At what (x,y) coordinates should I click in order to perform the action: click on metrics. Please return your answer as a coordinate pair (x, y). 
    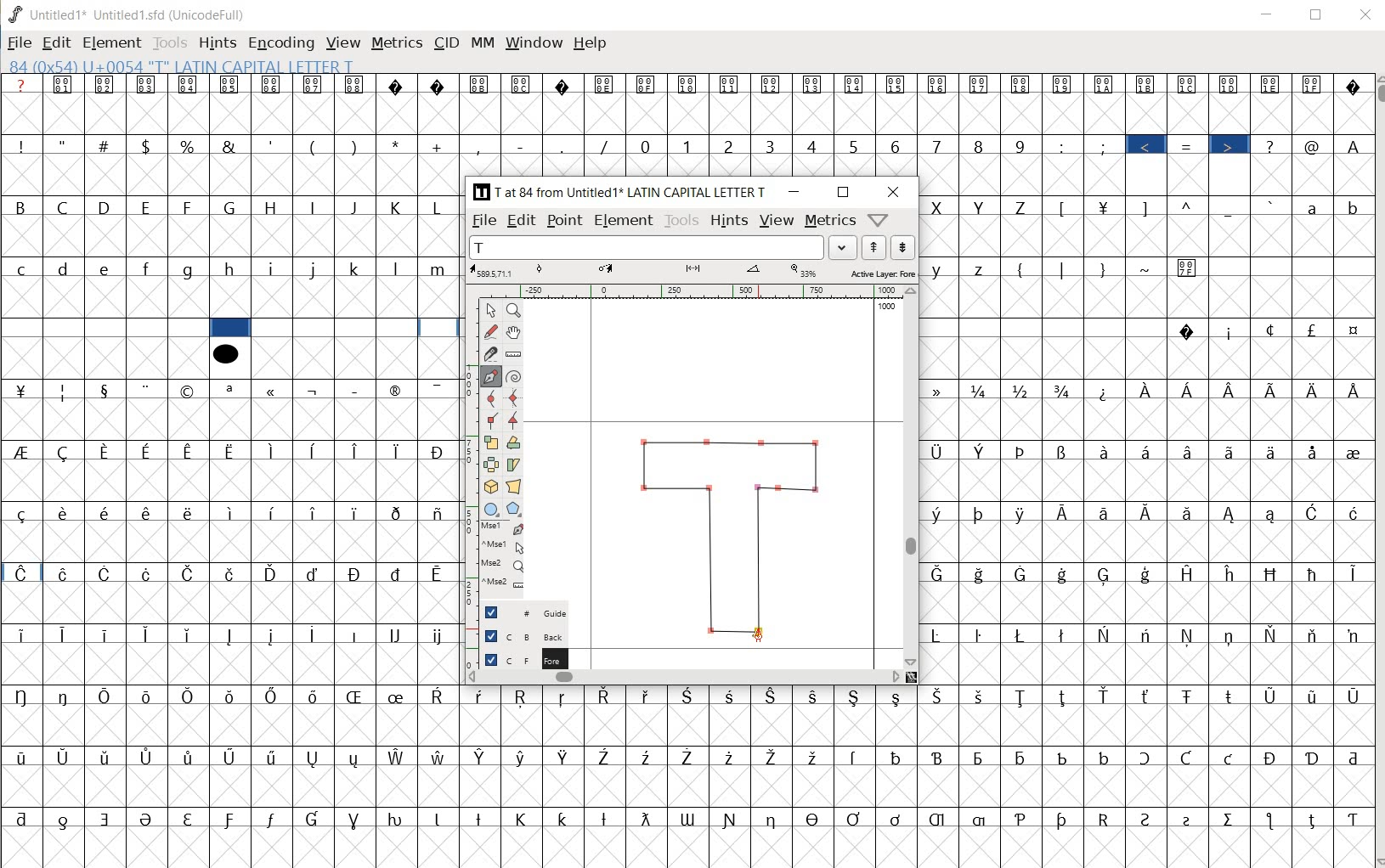
    Looking at the image, I should click on (396, 47).